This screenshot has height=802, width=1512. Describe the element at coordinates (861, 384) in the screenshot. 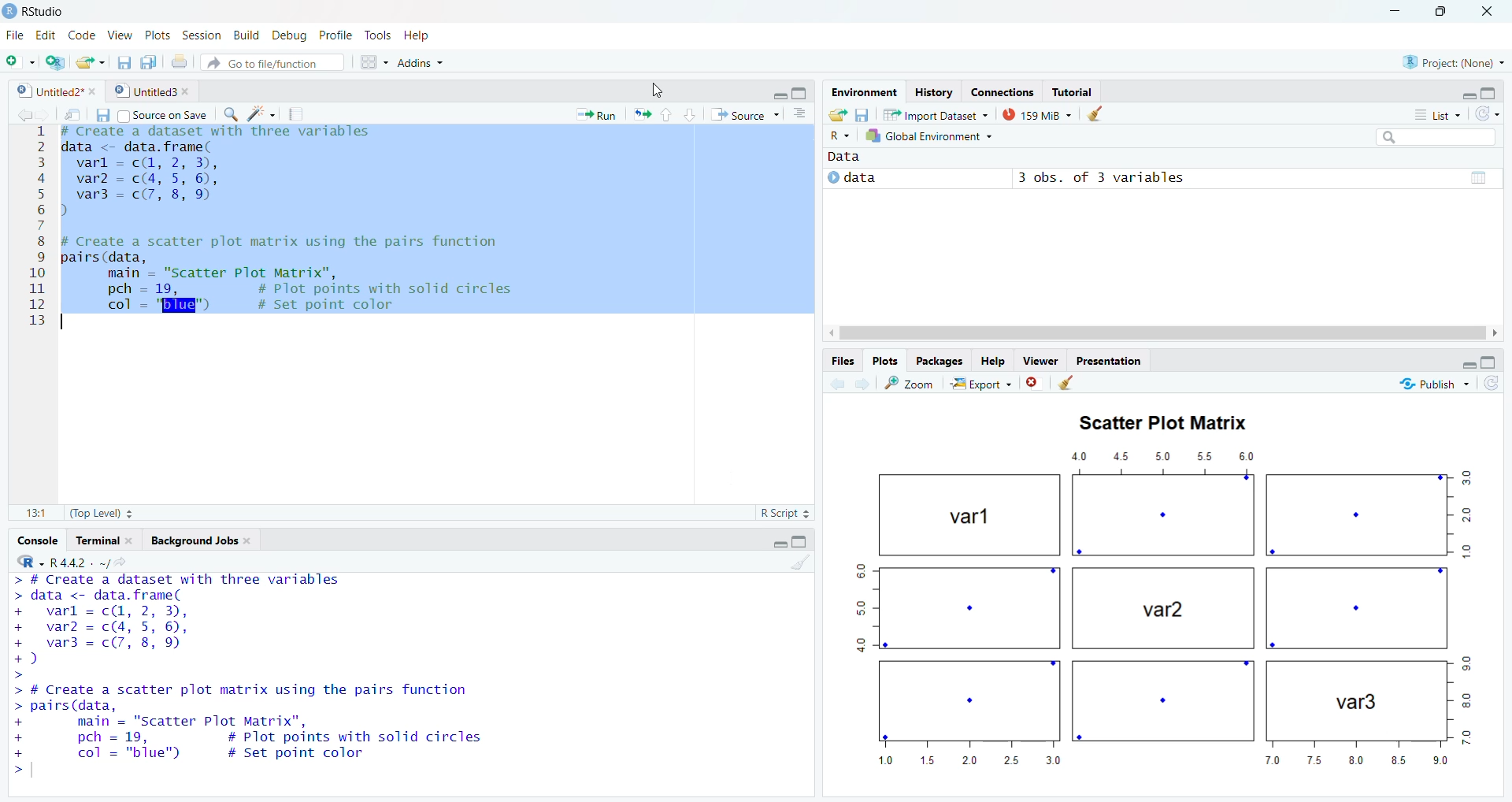

I see `Backward` at that location.